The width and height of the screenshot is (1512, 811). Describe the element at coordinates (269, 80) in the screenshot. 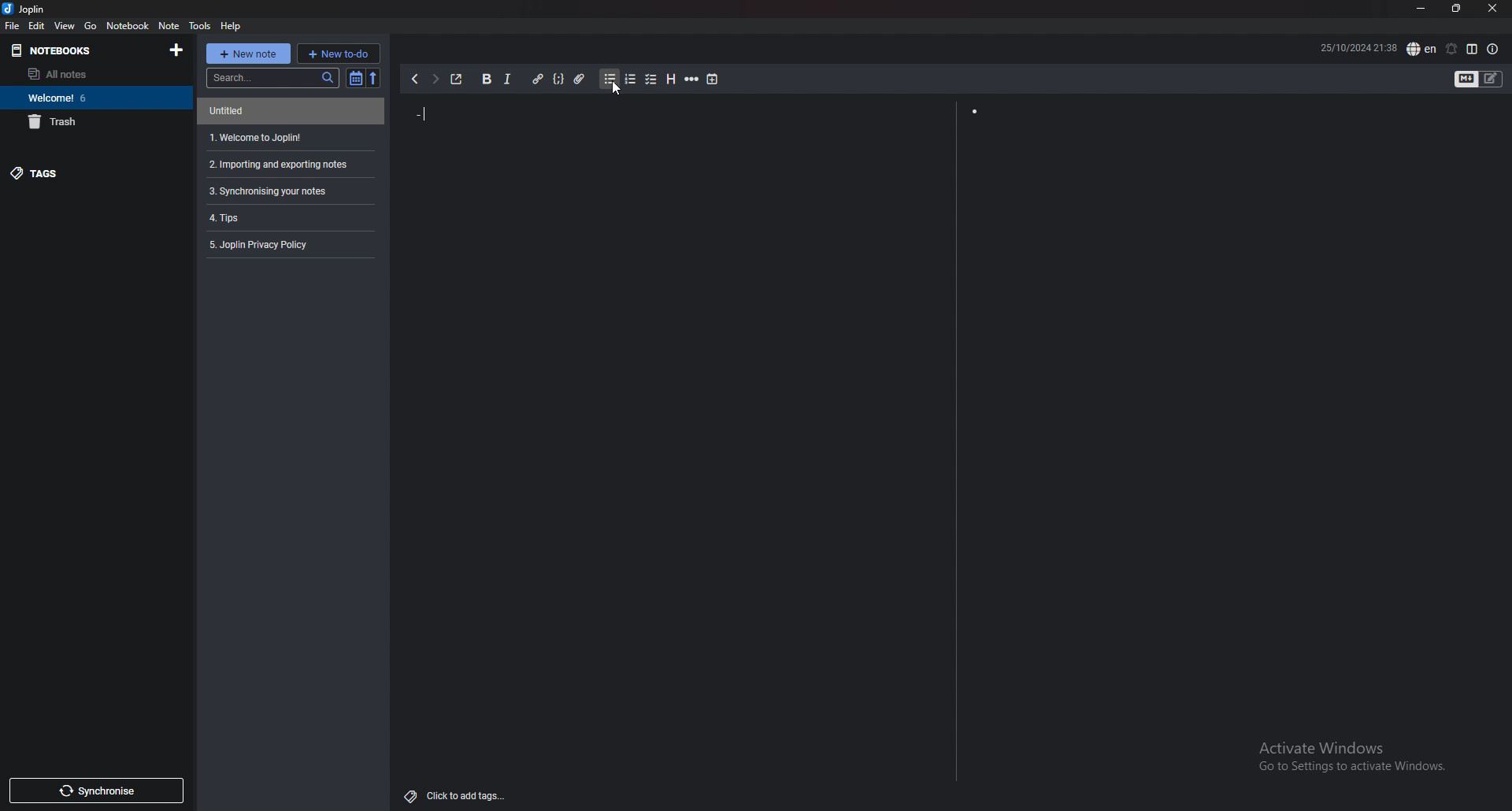

I see `search bar` at that location.